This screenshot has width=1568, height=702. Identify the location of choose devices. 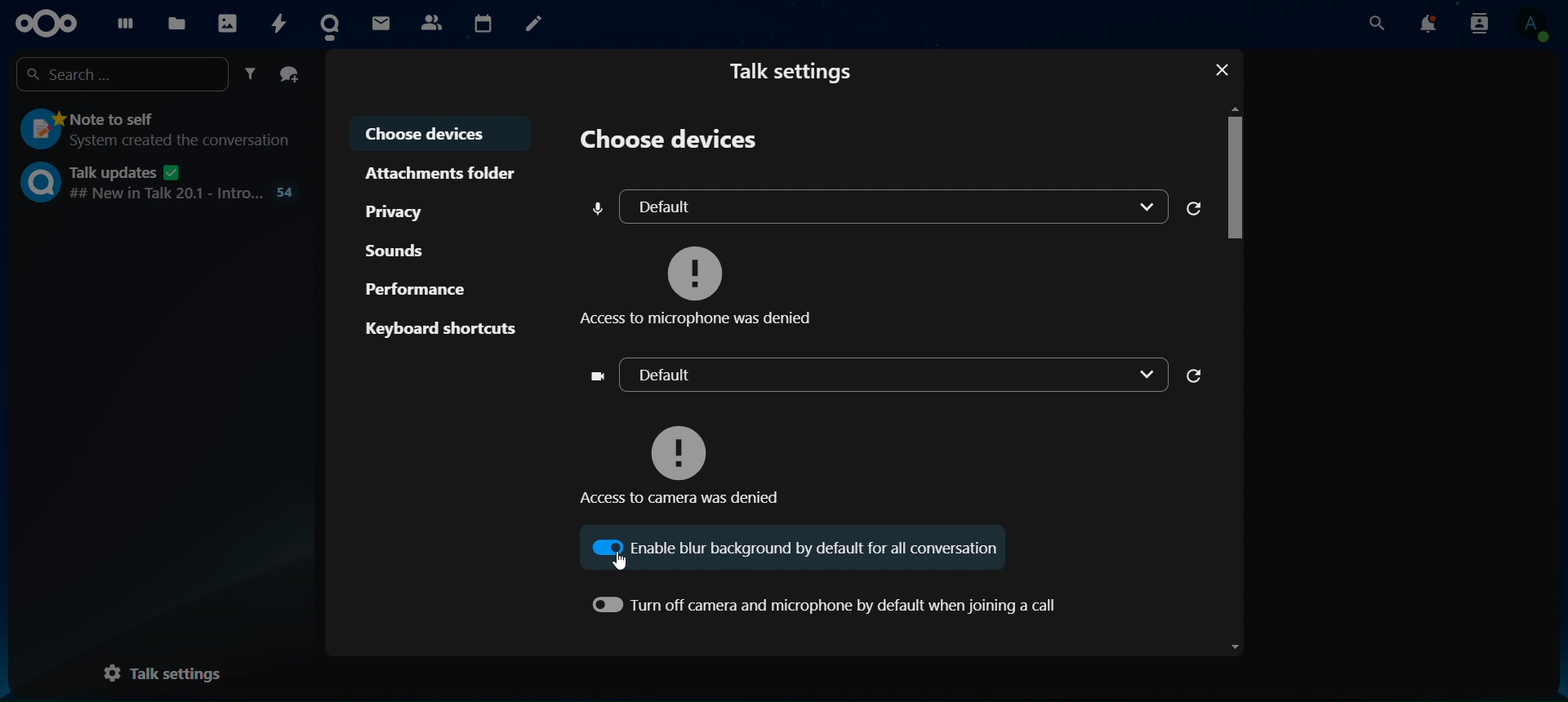
(667, 140).